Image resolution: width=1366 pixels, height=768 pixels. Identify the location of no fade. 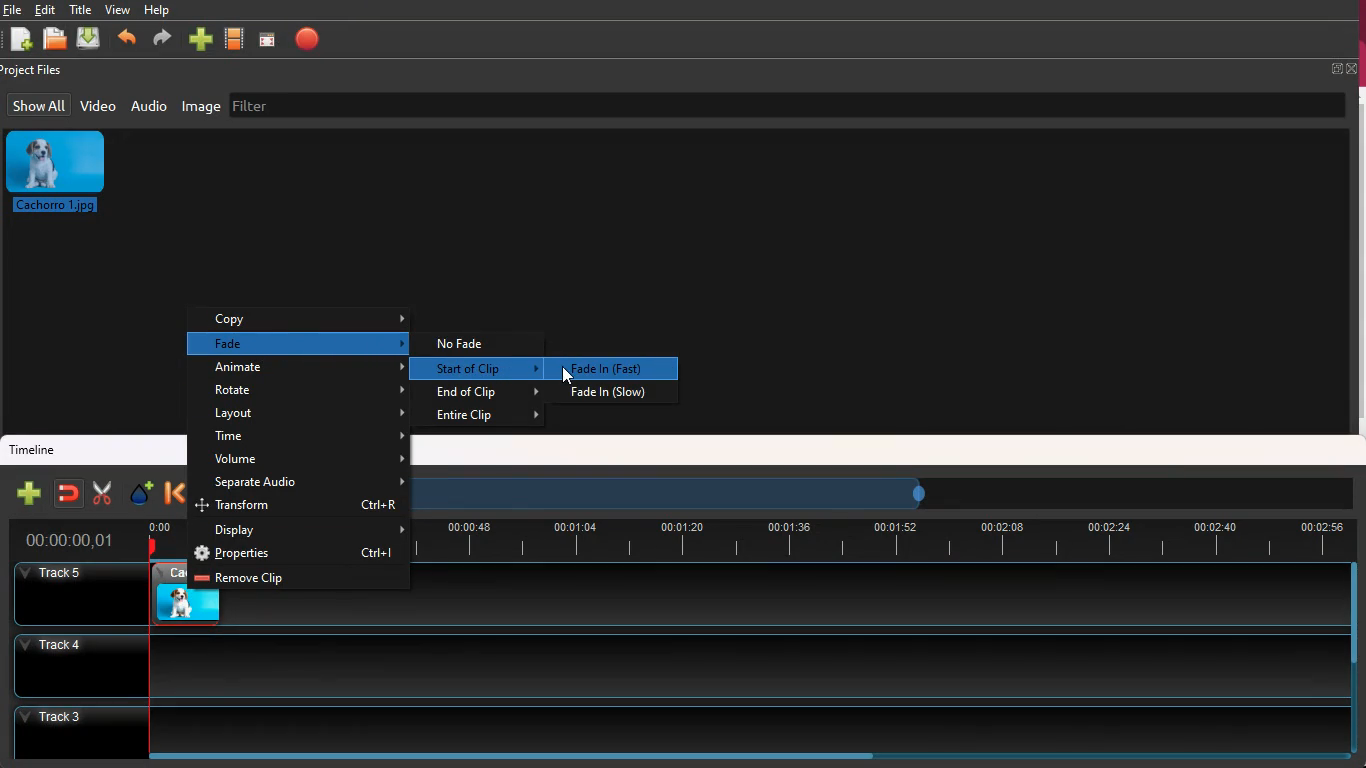
(474, 343).